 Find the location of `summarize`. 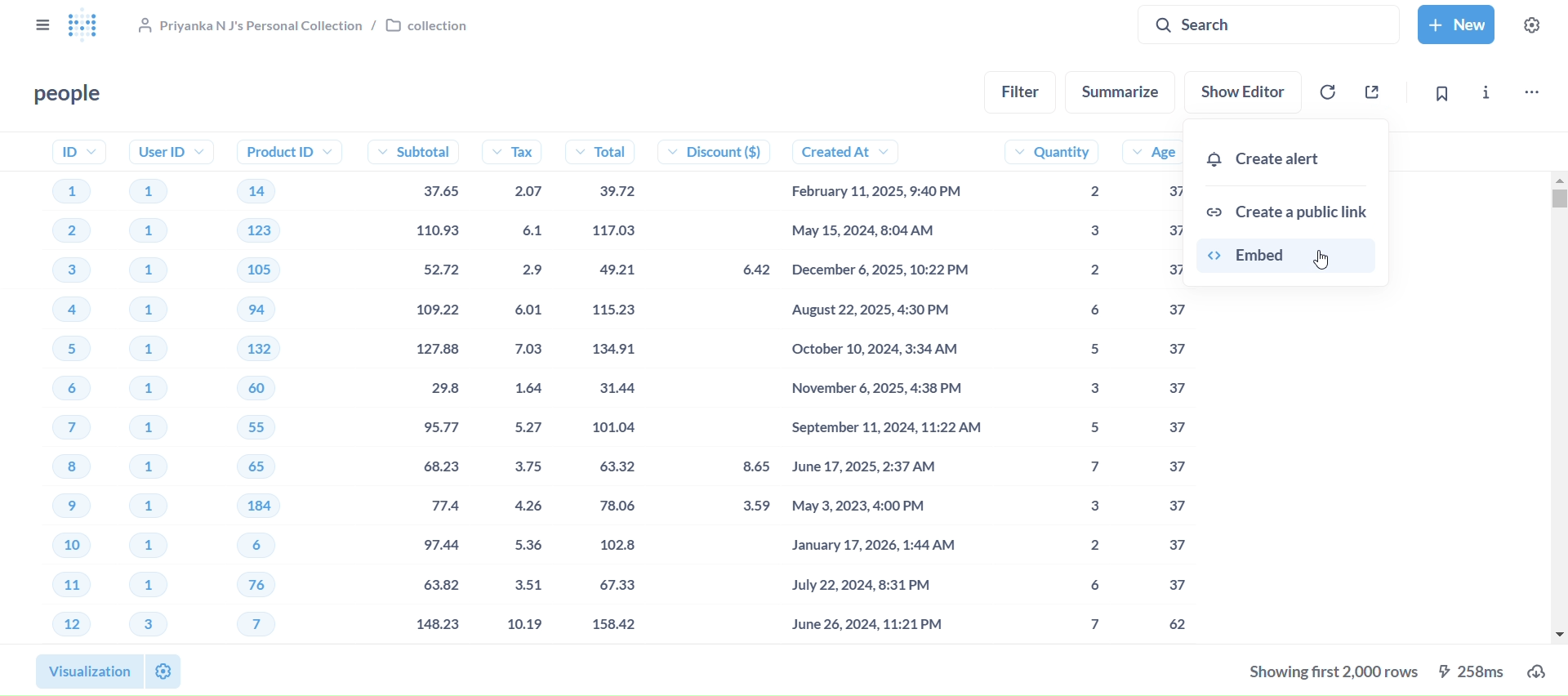

summarize is located at coordinates (1127, 91).